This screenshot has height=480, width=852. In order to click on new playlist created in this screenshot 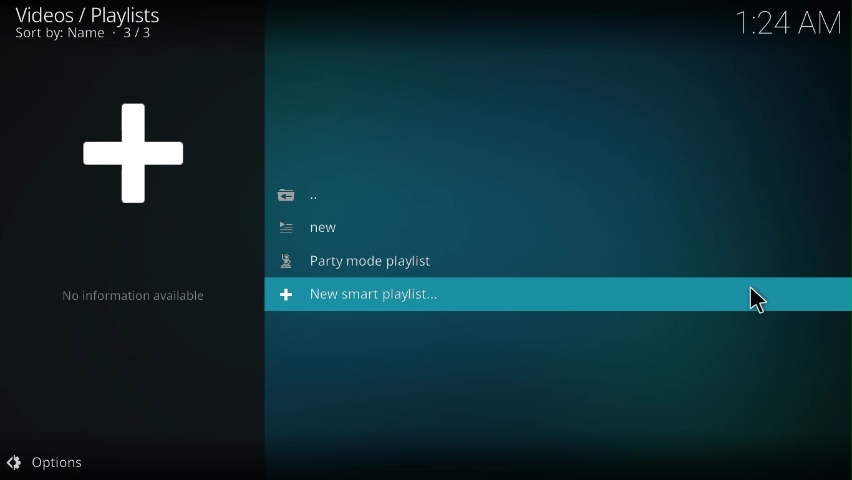, I will do `click(312, 227)`.